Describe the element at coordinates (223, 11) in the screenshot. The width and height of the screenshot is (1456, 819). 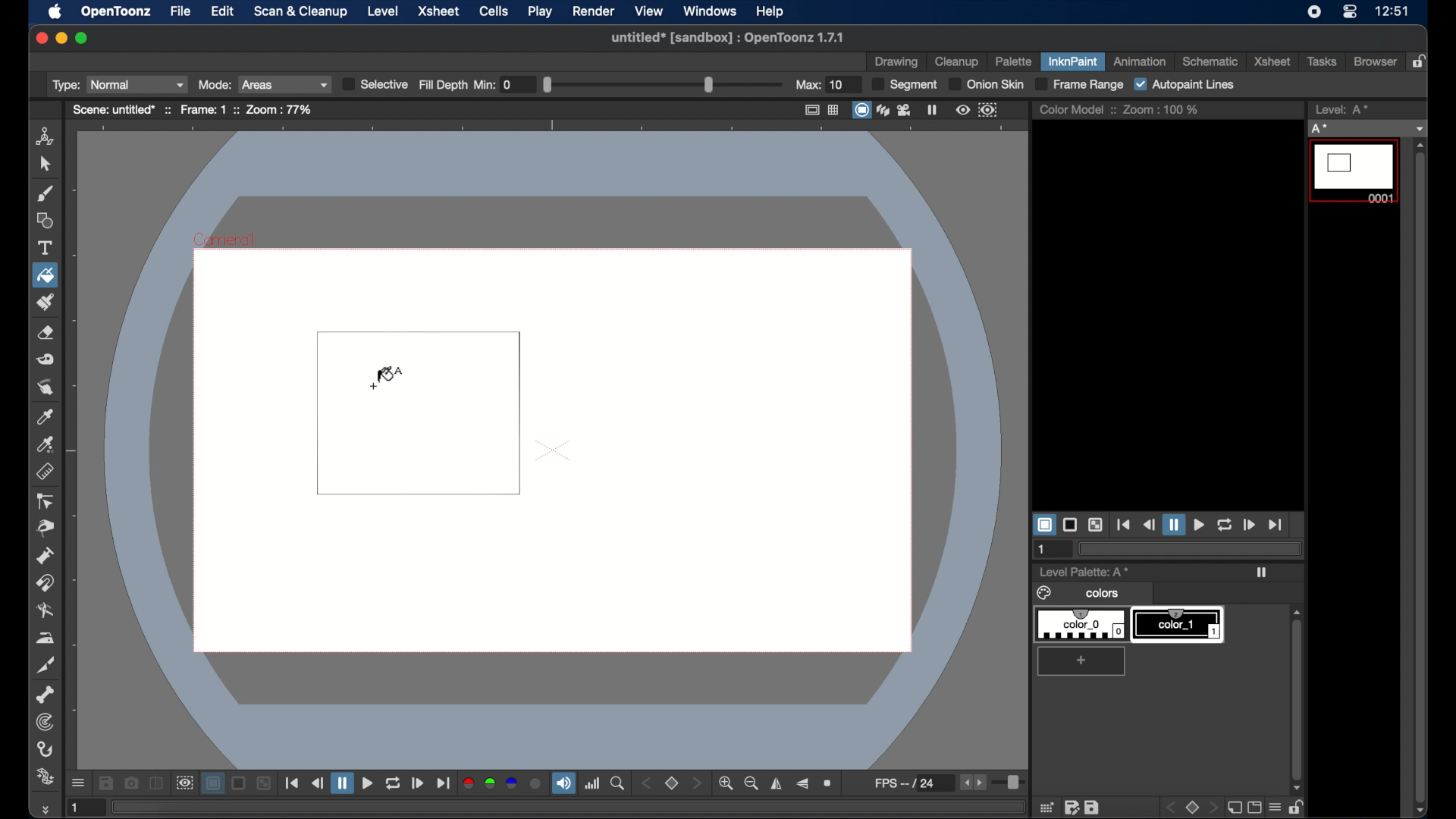
I see `edit` at that location.